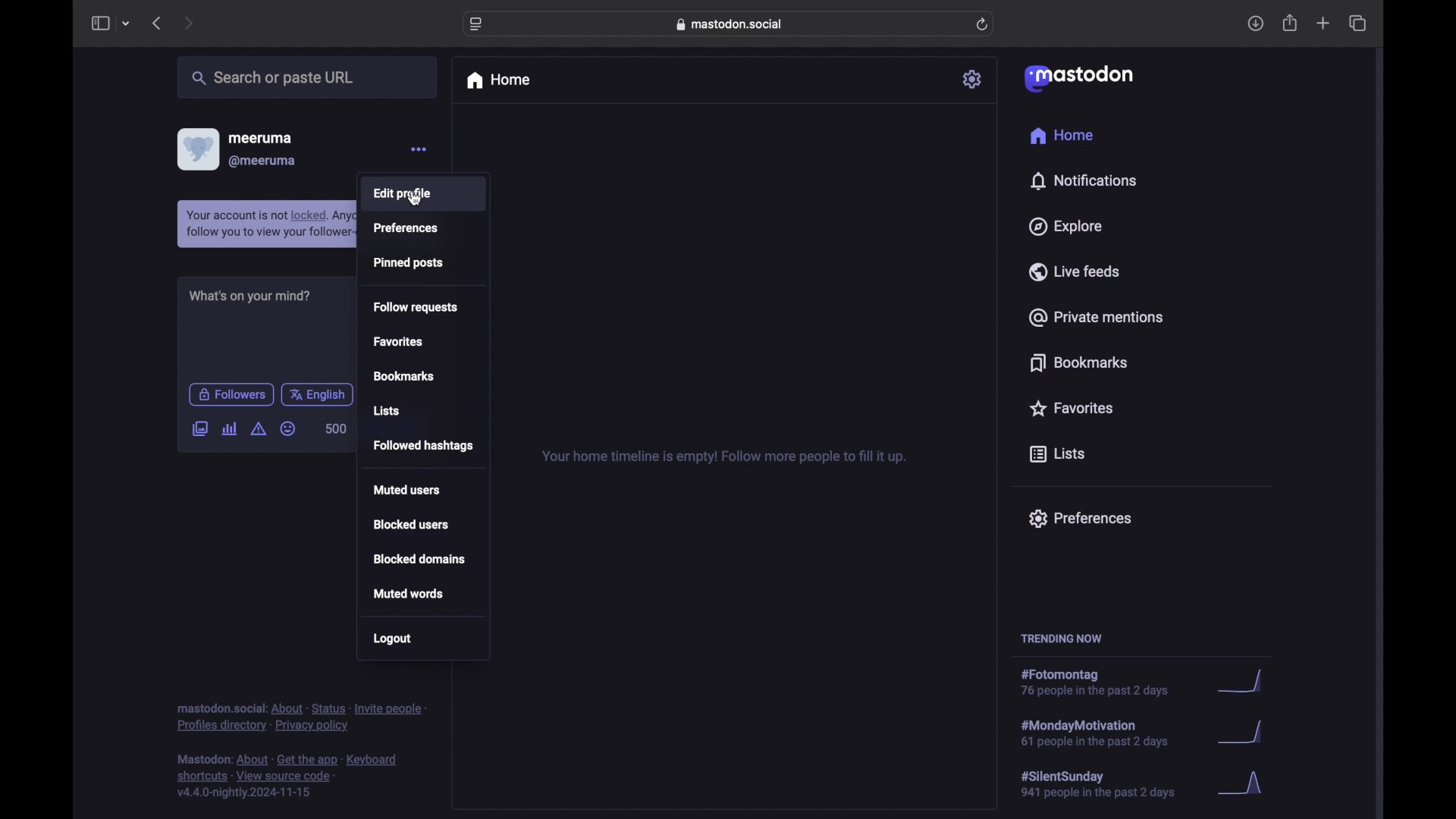 The width and height of the screenshot is (1456, 819). I want to click on your home timeline is empty! follow more people to fill it up, so click(725, 457).